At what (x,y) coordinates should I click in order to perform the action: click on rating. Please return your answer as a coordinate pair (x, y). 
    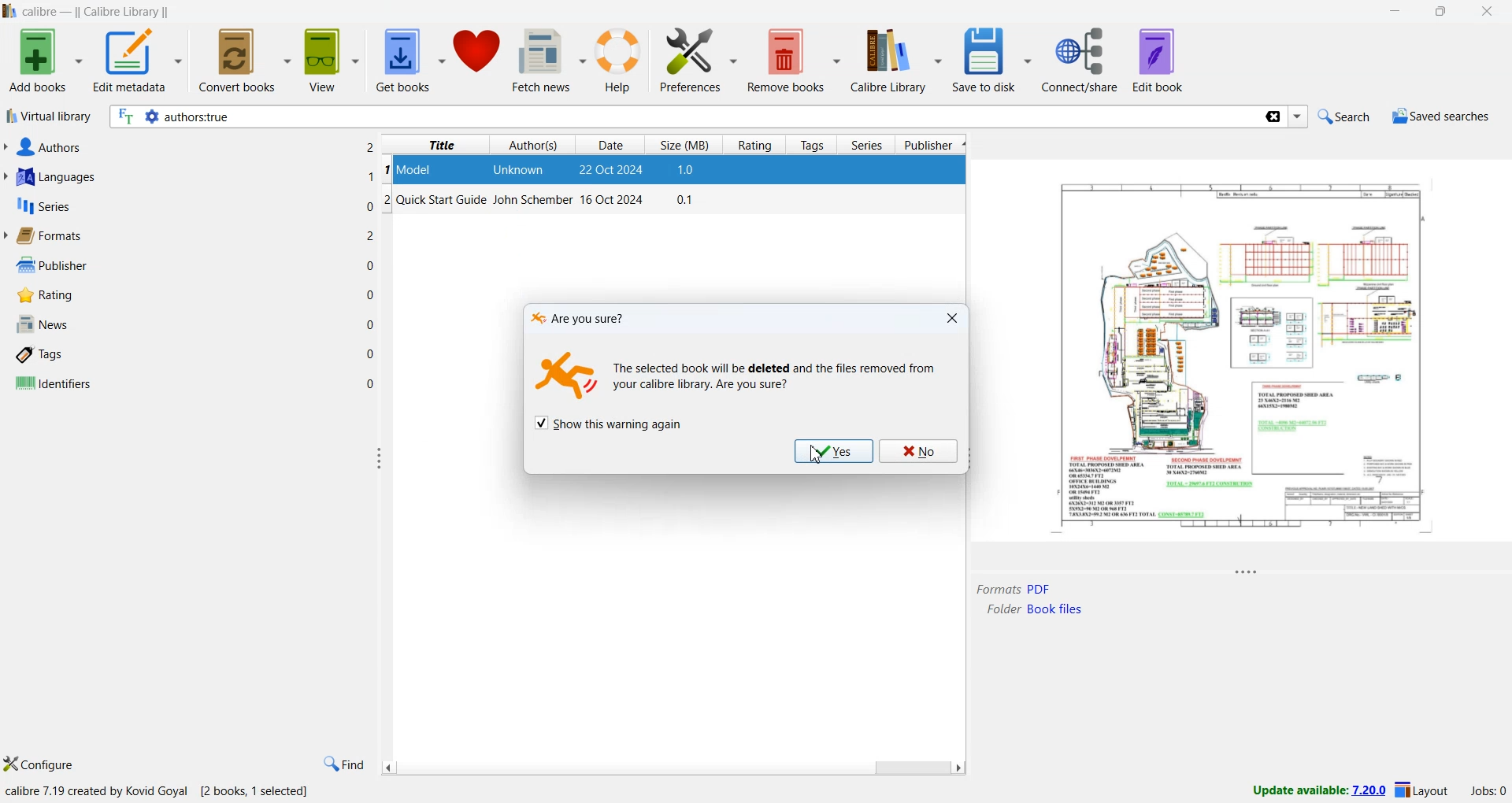
    Looking at the image, I should click on (754, 146).